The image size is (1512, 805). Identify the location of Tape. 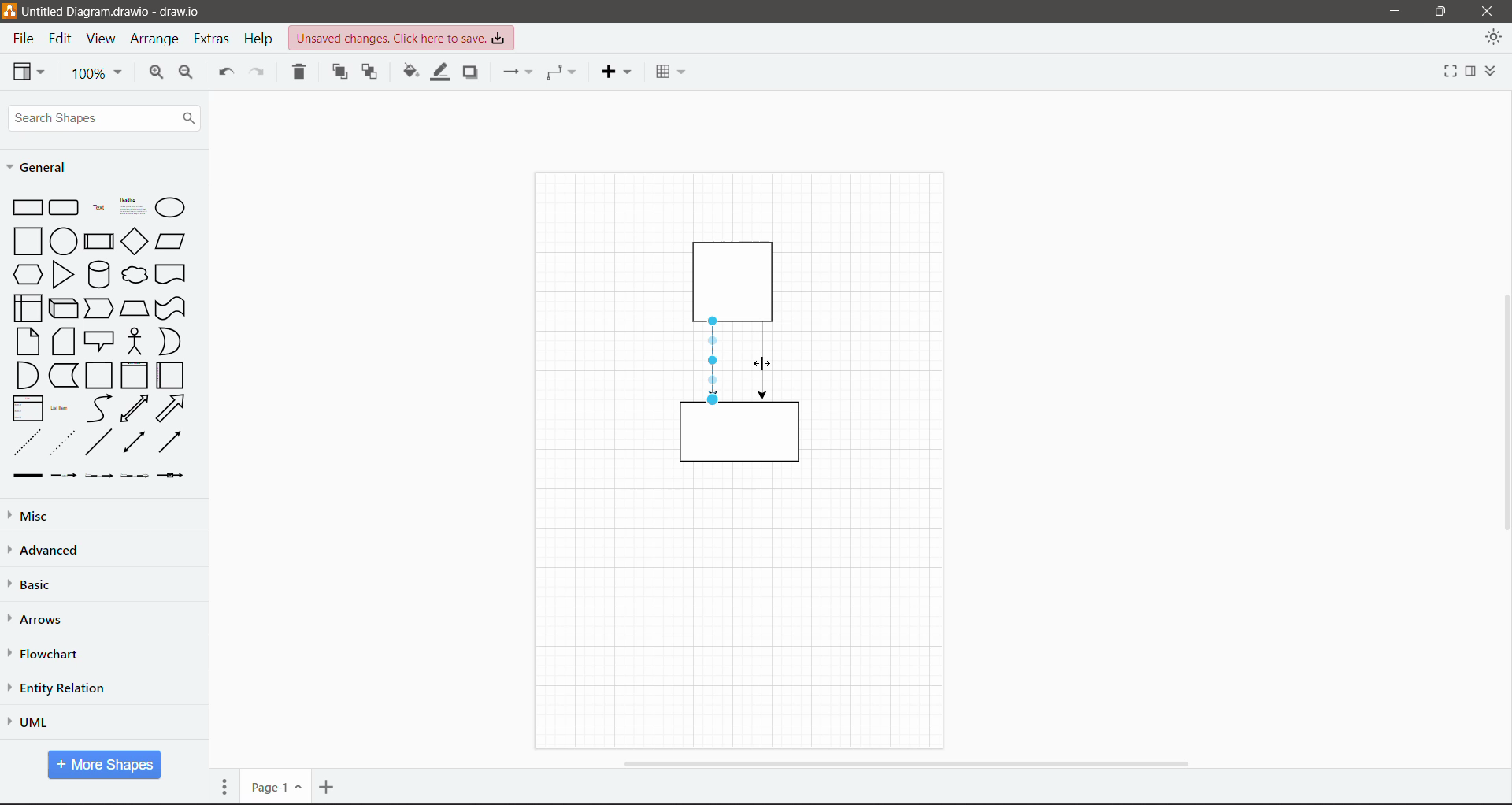
(172, 307).